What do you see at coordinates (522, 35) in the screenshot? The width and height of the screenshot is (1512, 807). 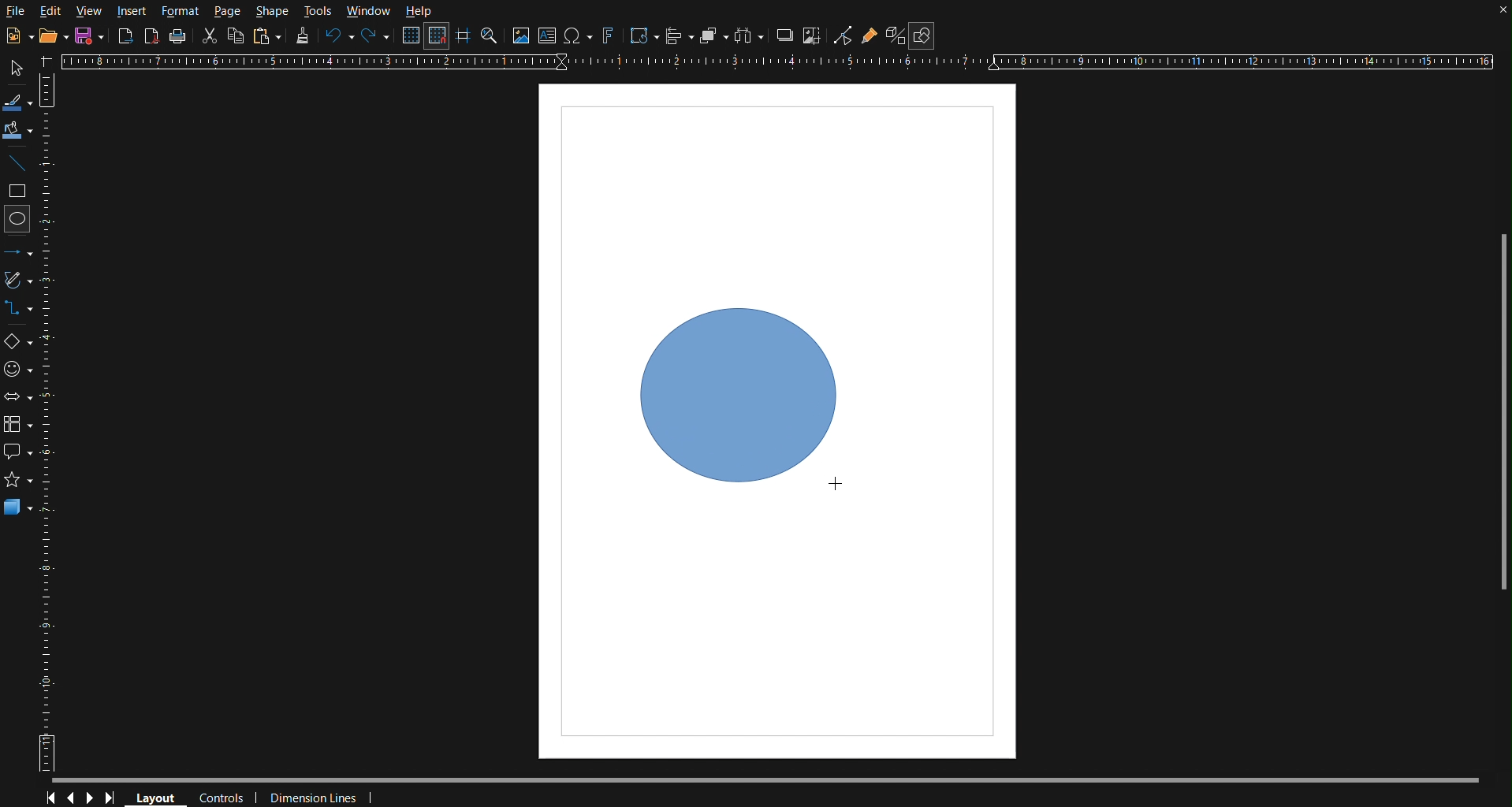 I see `Insert Image` at bounding box center [522, 35].